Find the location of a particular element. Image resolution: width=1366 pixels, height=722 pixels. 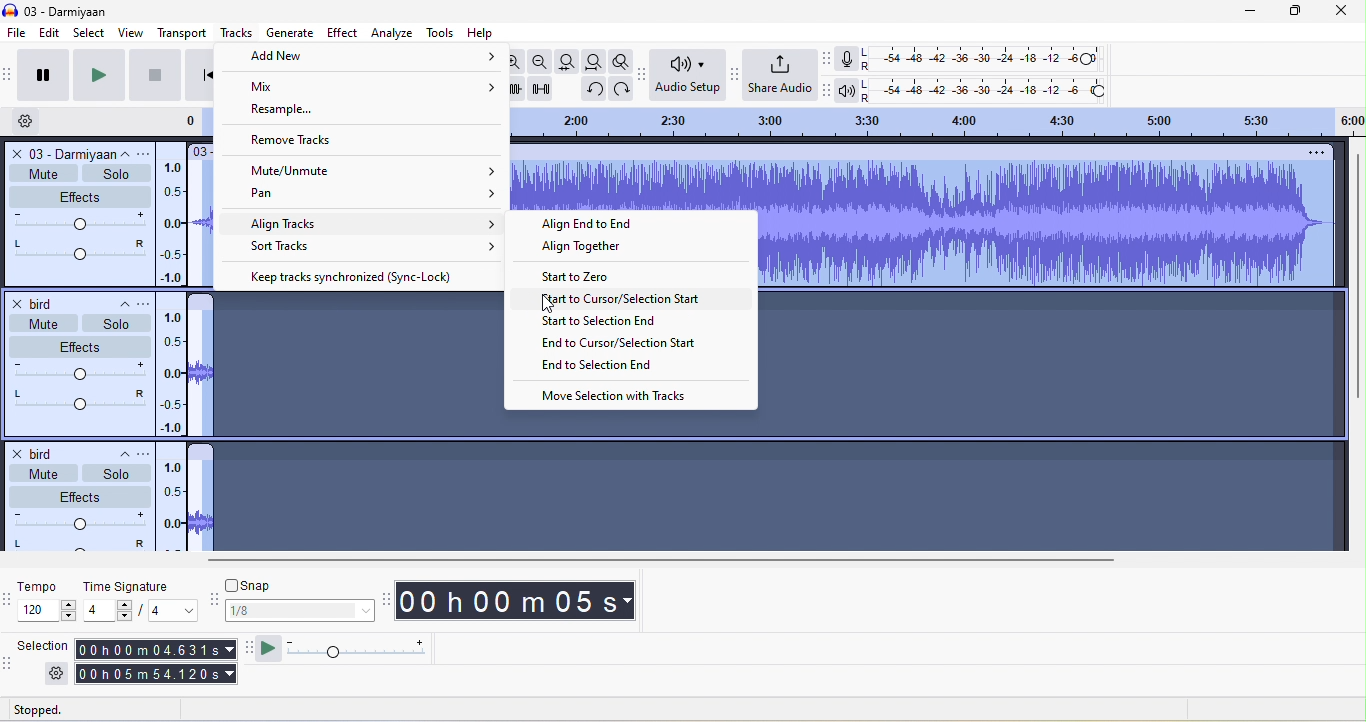

value is located at coordinates (108, 612).